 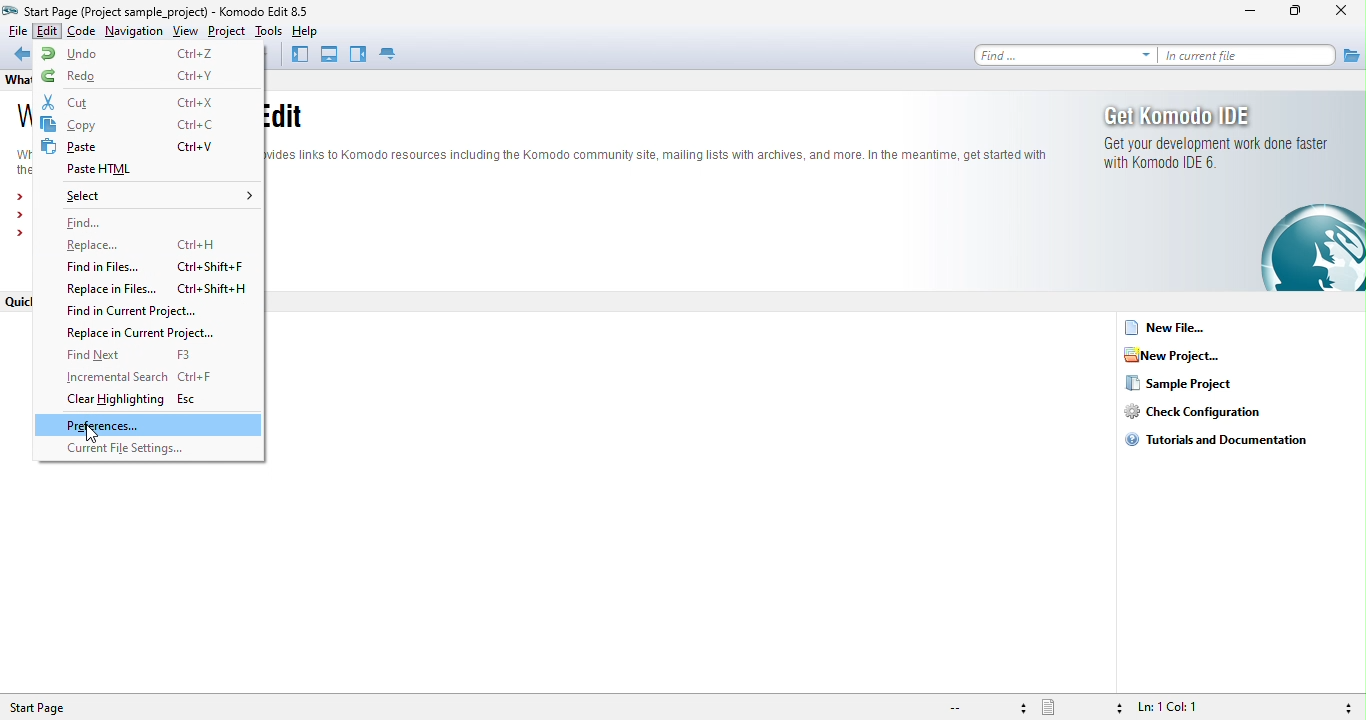 What do you see at coordinates (151, 334) in the screenshot?
I see `replace in current project` at bounding box center [151, 334].